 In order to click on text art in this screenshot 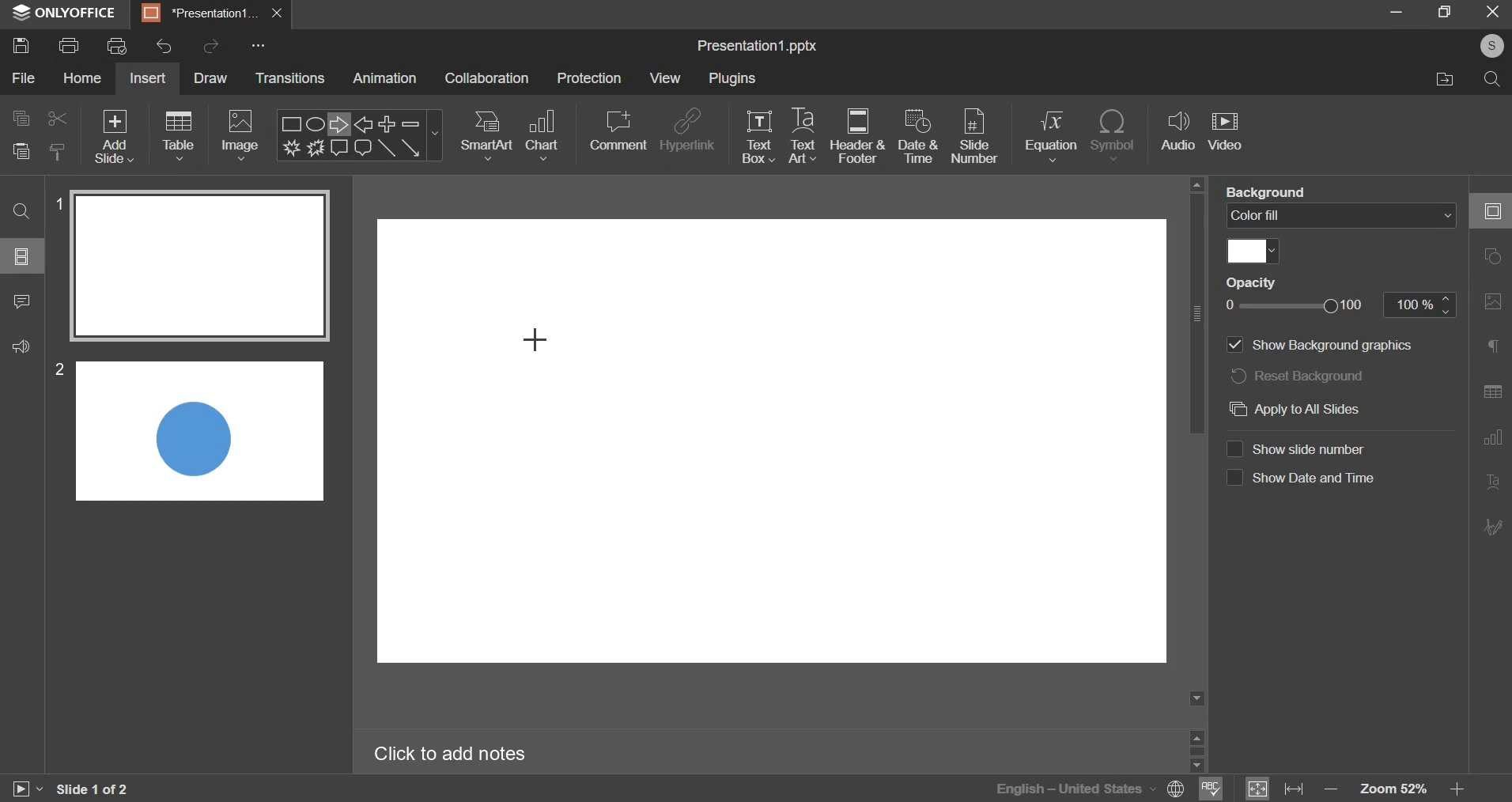, I will do `click(803, 137)`.